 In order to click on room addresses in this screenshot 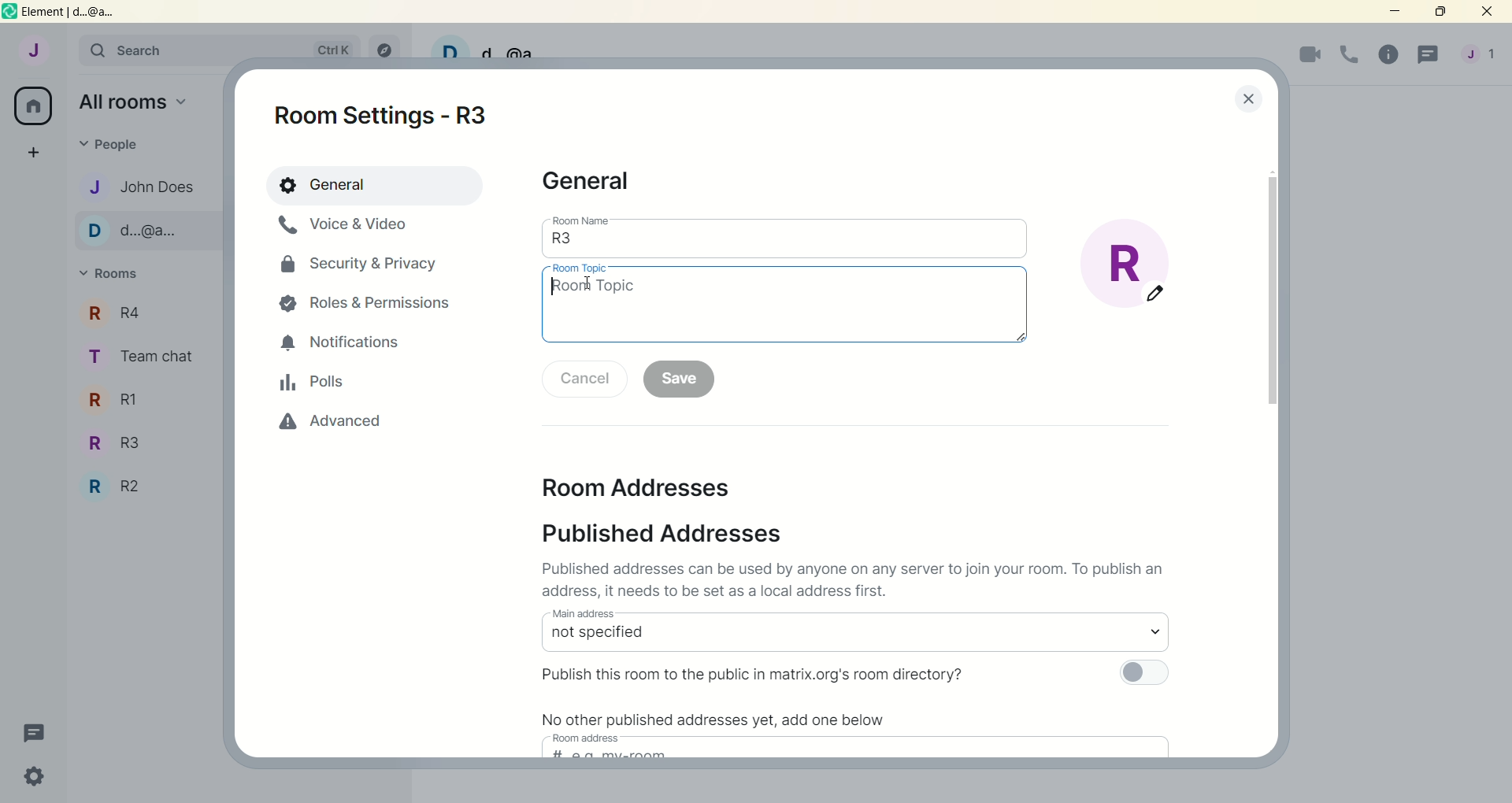, I will do `click(637, 490)`.